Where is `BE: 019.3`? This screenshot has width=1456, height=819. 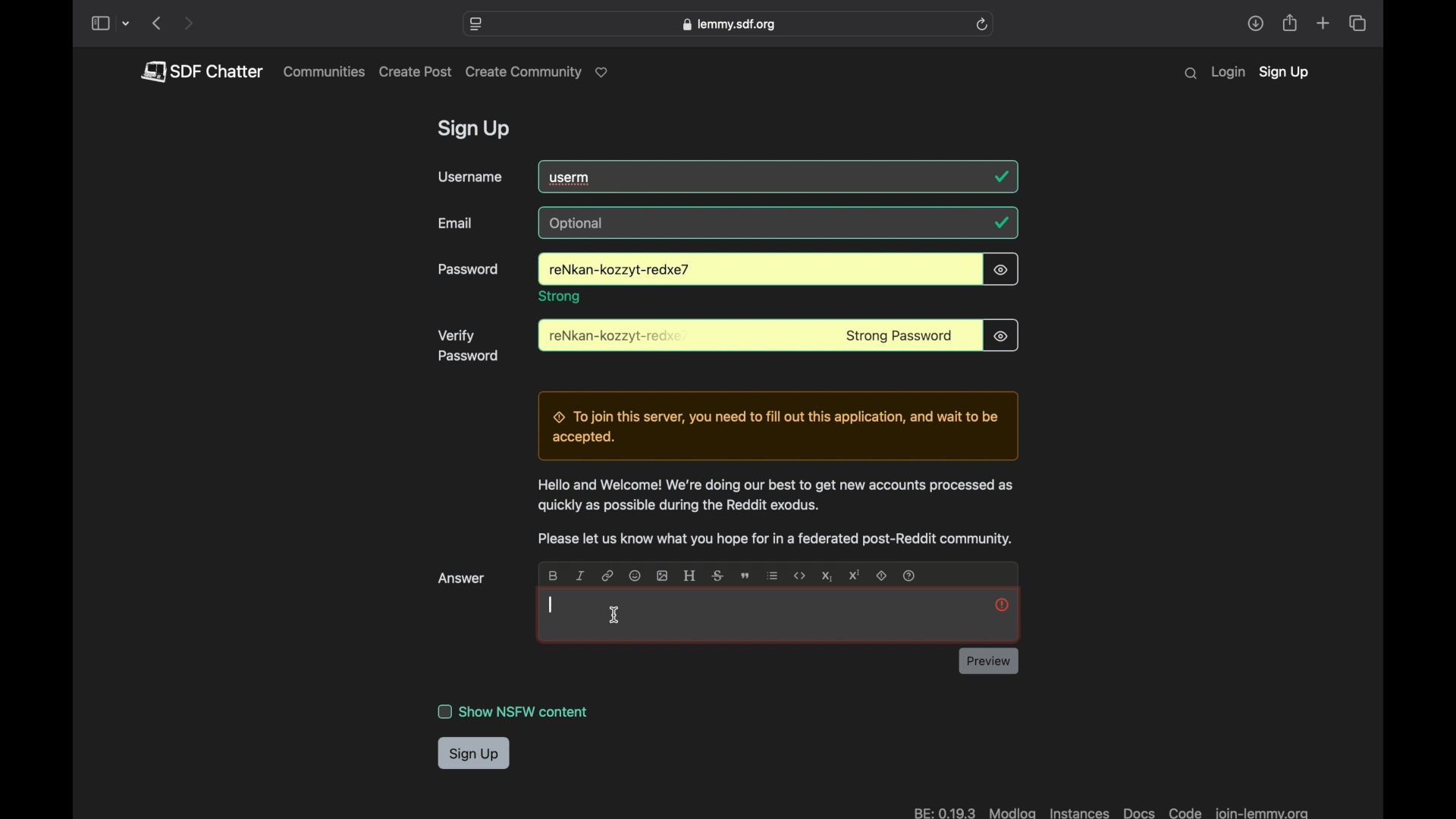 BE: 019.3 is located at coordinates (943, 811).